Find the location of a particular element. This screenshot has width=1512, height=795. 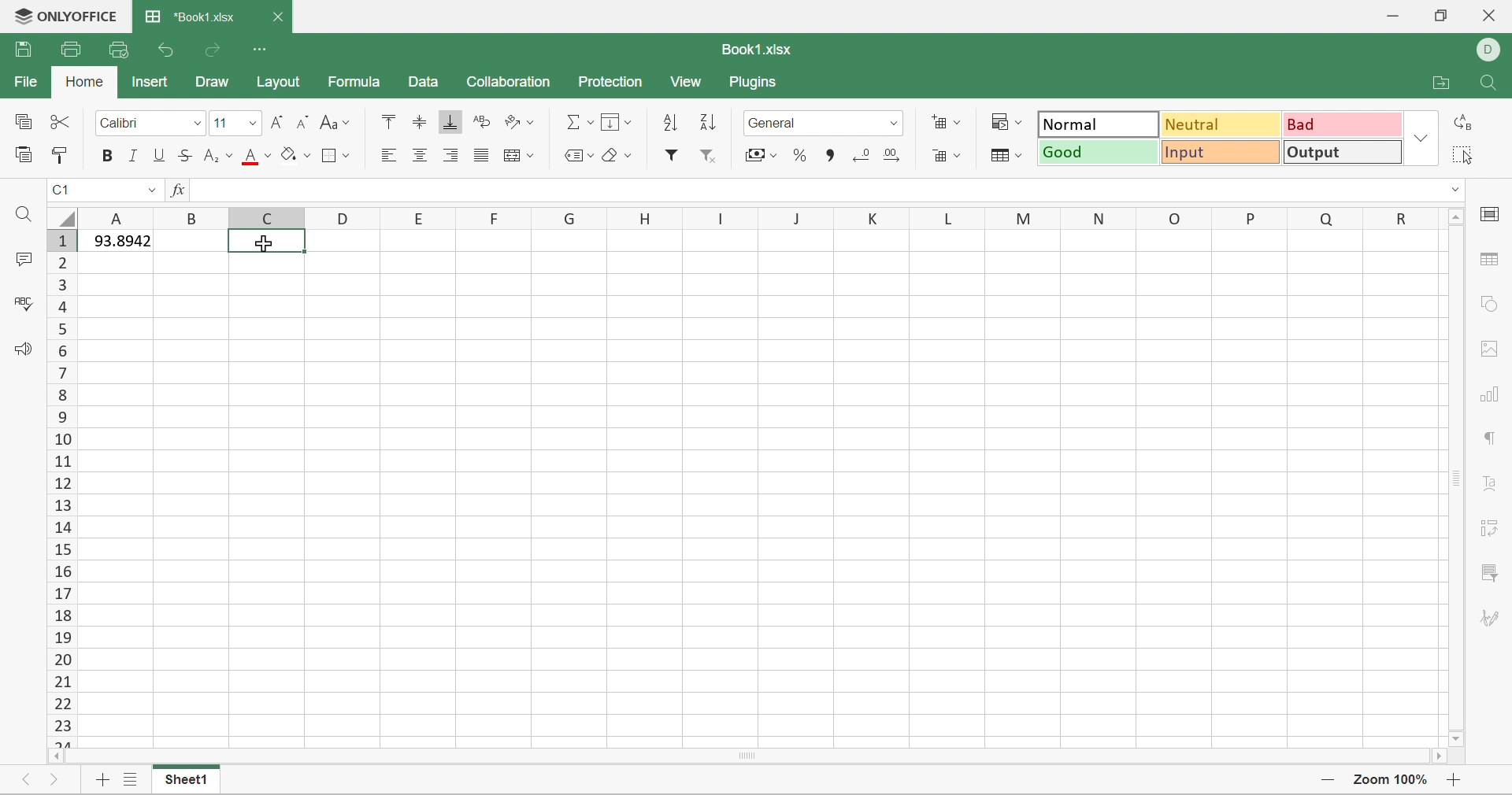

Scroll Bar is located at coordinates (744, 757).